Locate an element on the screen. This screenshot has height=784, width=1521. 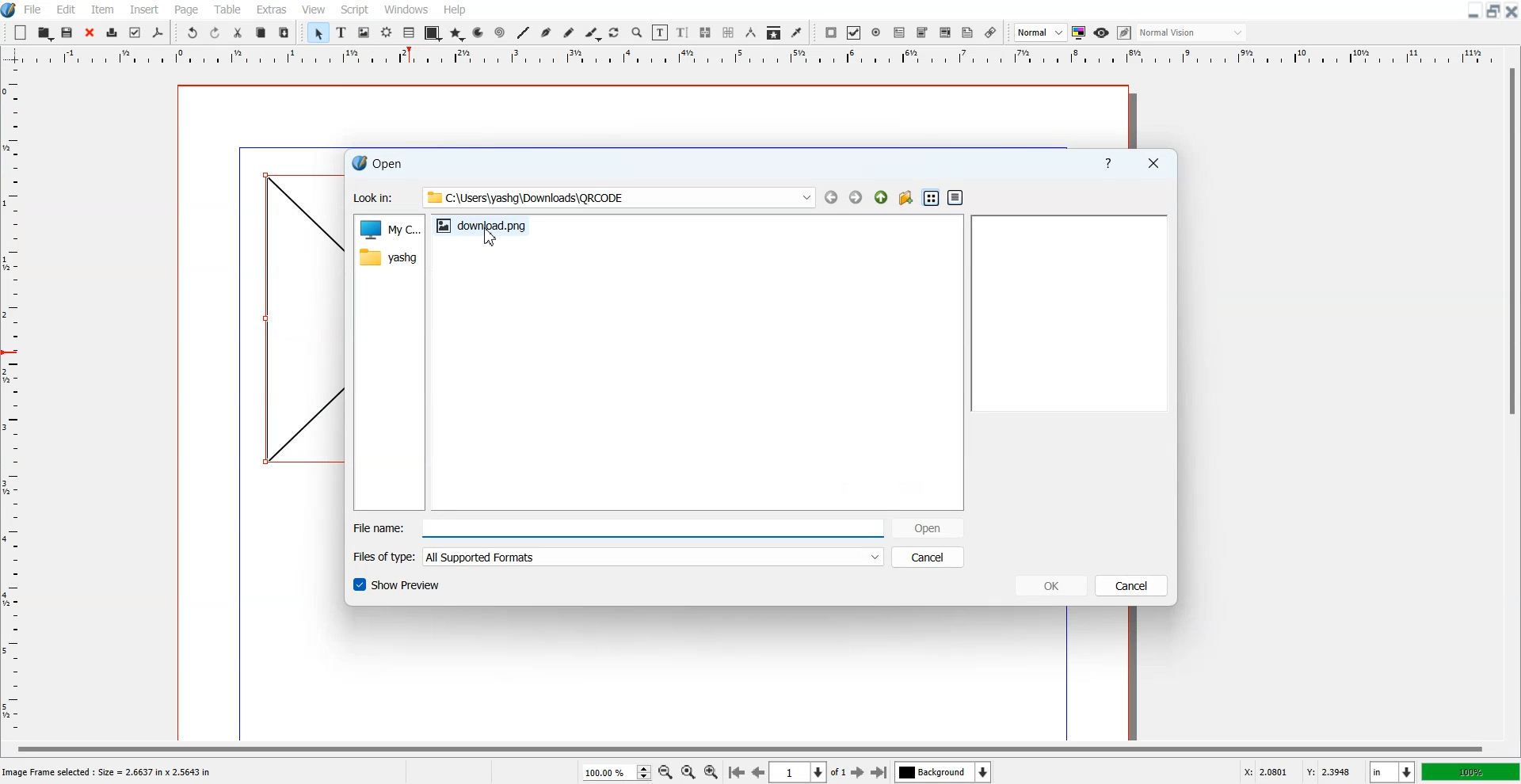
Edit in preview mode is located at coordinates (1125, 32).